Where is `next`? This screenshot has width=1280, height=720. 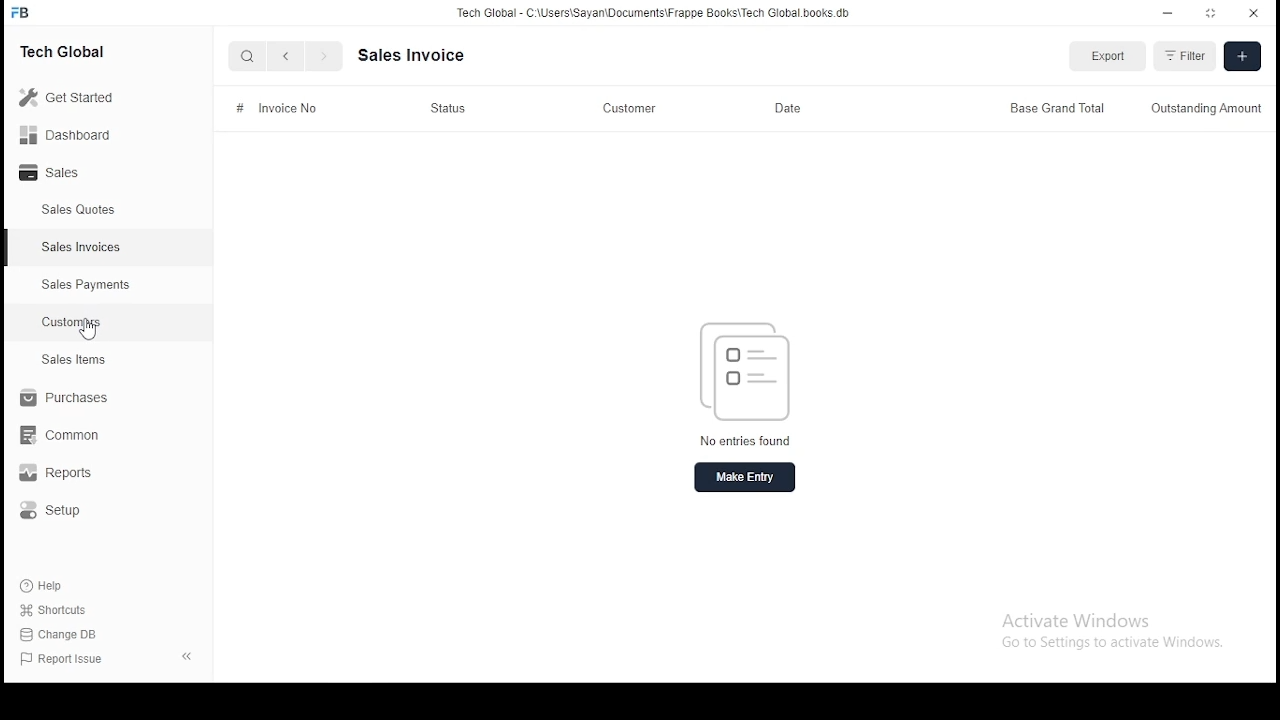
next is located at coordinates (321, 56).